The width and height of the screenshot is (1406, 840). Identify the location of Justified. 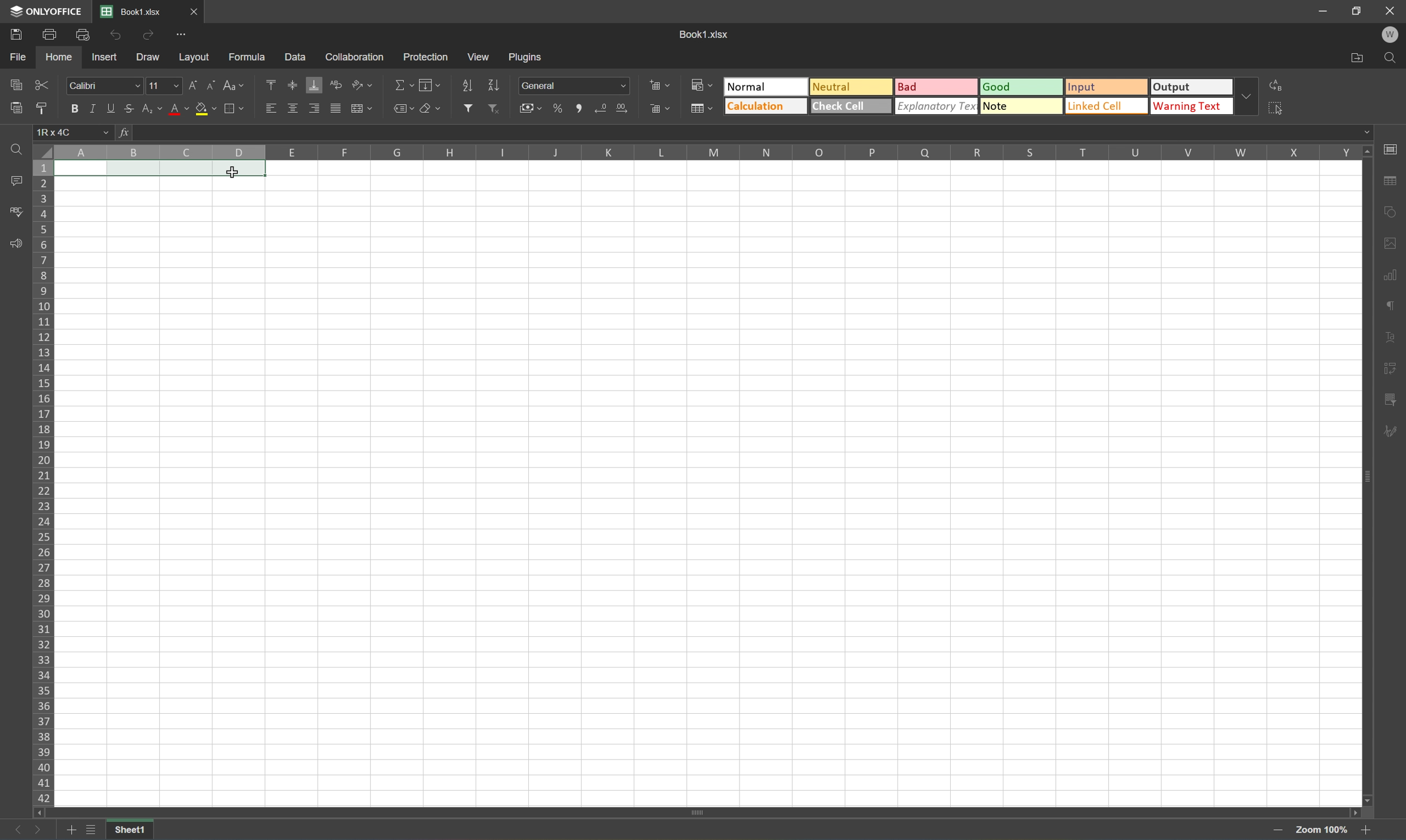
(336, 109).